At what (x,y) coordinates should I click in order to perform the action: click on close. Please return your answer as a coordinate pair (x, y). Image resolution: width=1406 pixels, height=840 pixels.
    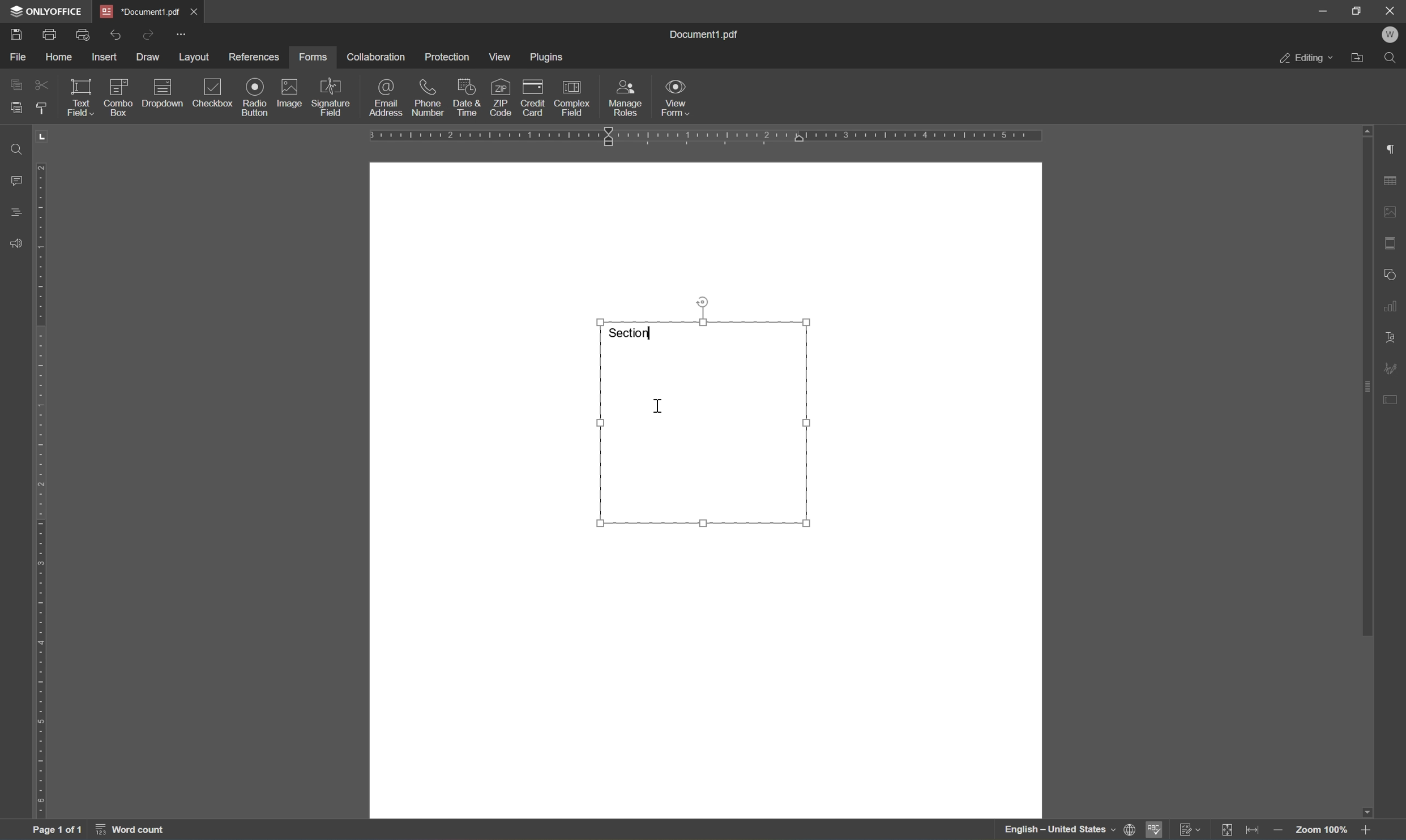
    Looking at the image, I should click on (195, 11).